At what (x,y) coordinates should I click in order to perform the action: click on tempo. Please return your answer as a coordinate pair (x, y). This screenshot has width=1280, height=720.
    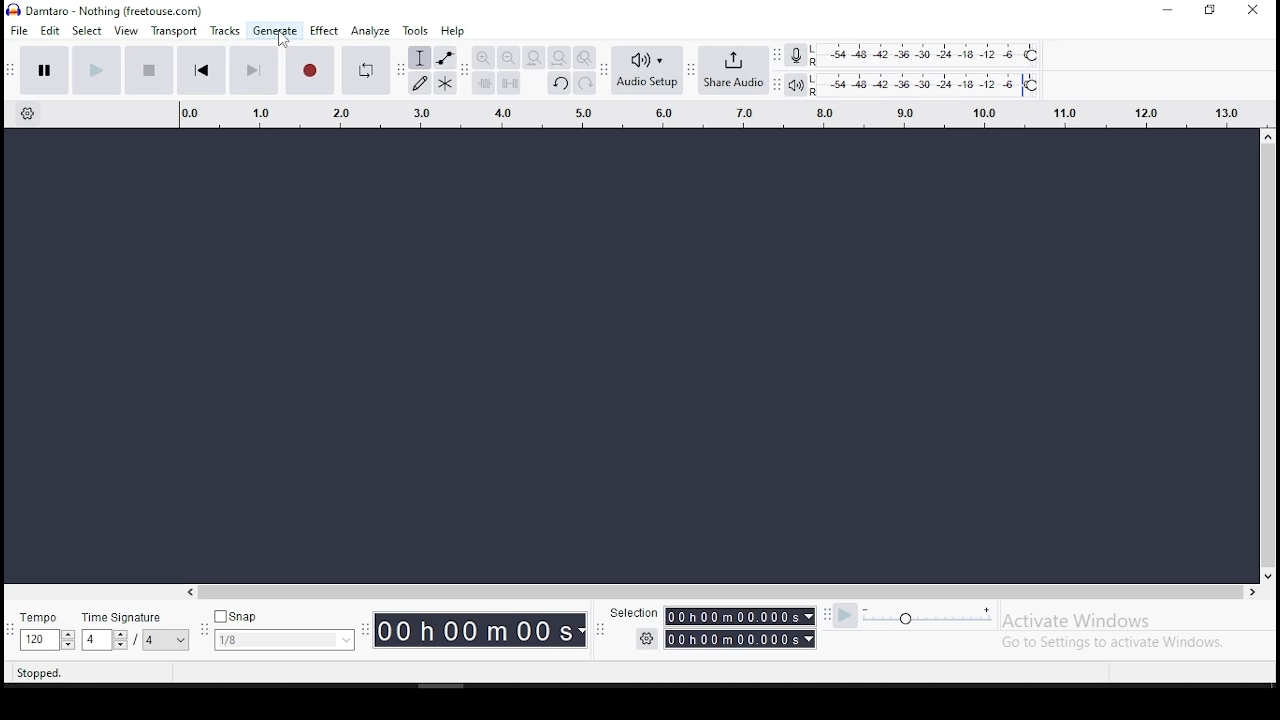
    Looking at the image, I should click on (47, 631).